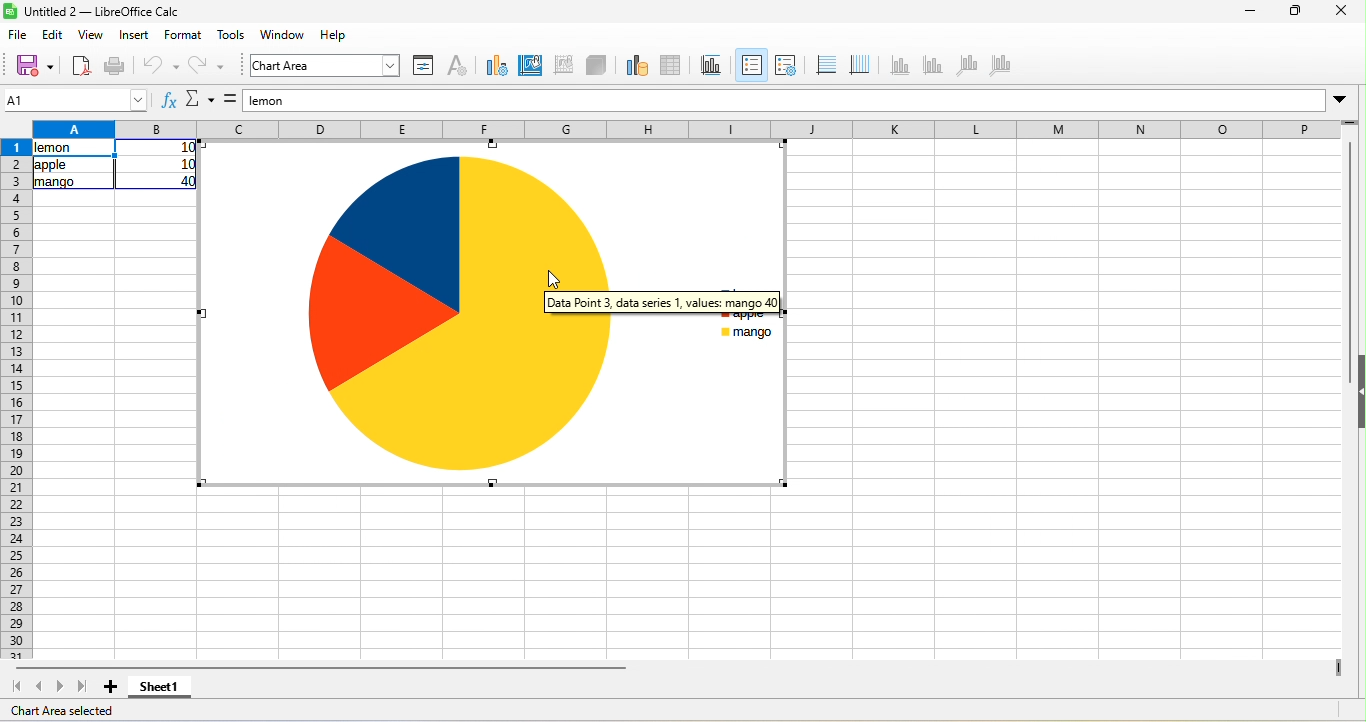 This screenshot has width=1366, height=722. I want to click on help, so click(332, 36).